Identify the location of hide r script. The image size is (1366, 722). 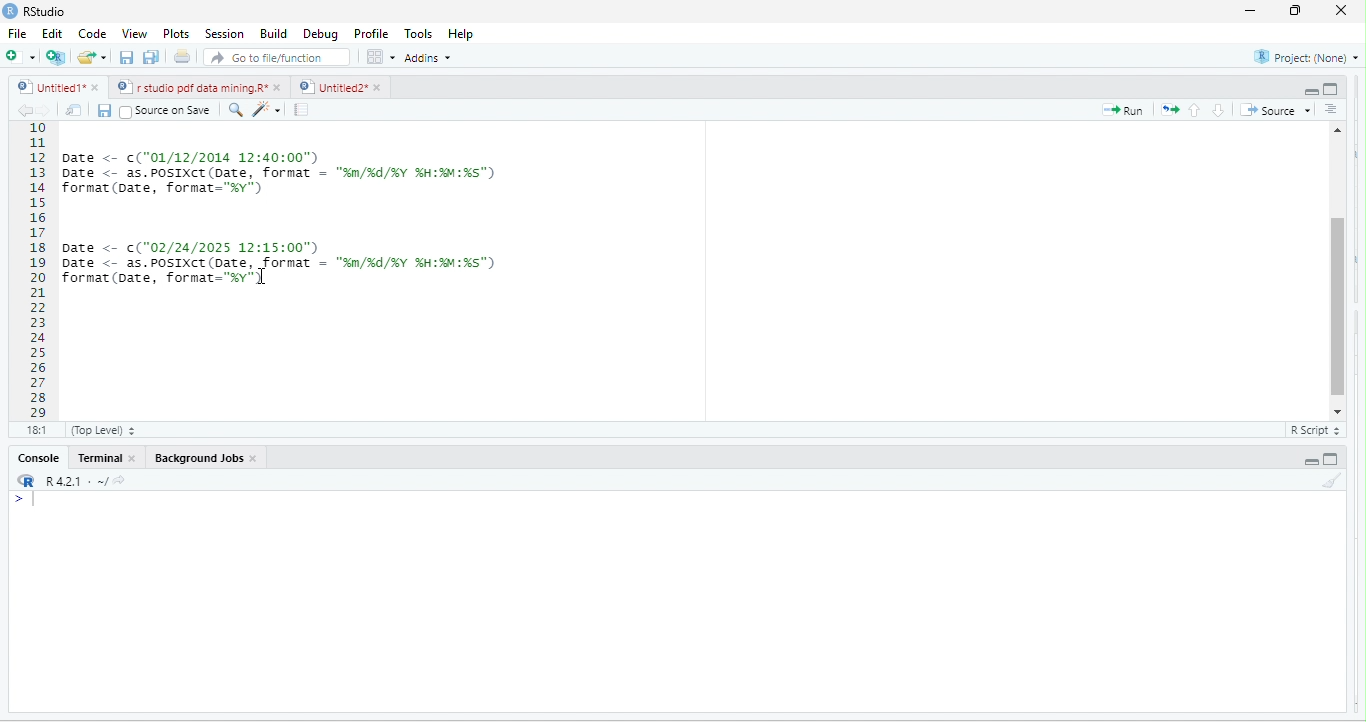
(1308, 86).